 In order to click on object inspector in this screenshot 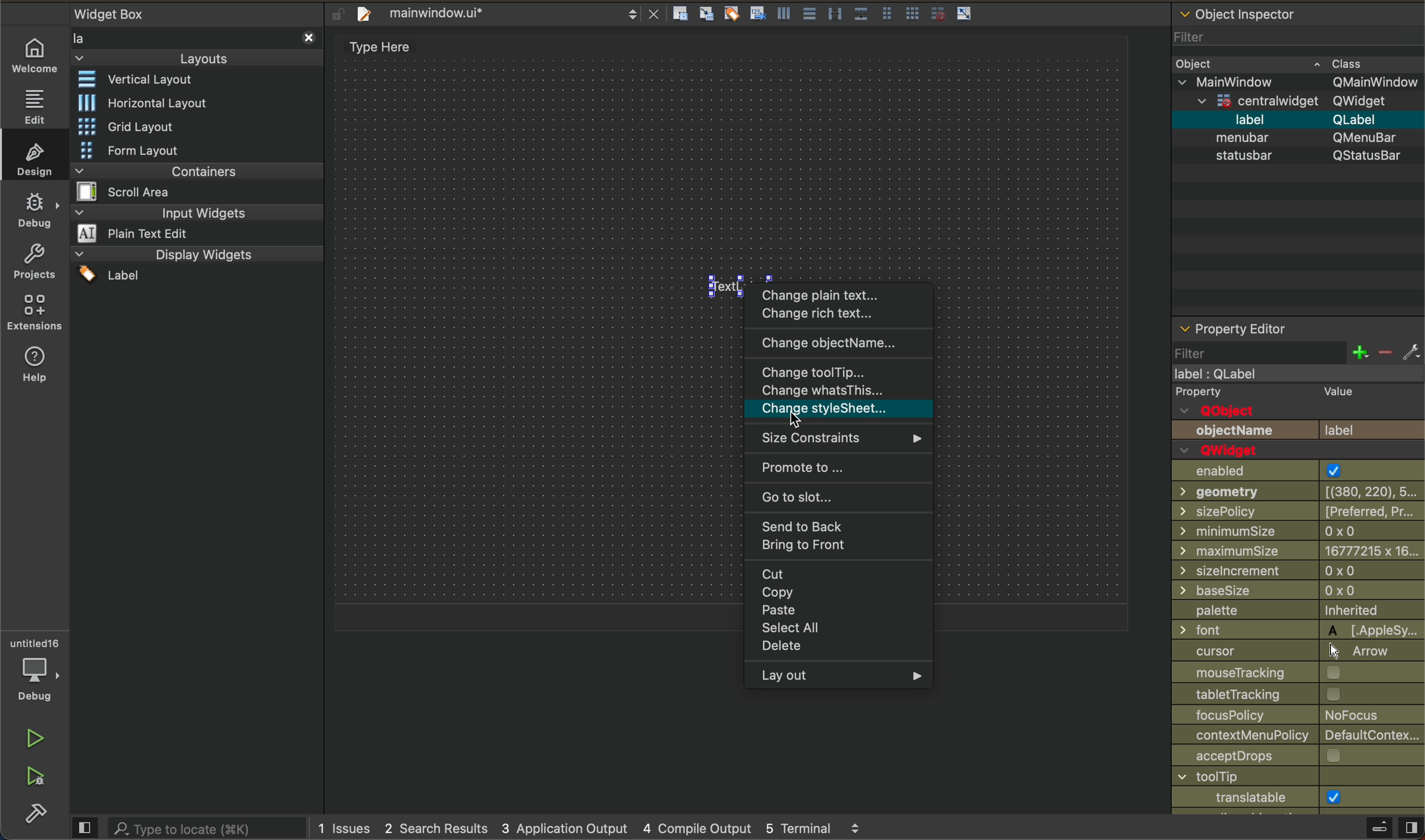, I will do `click(1295, 12)`.